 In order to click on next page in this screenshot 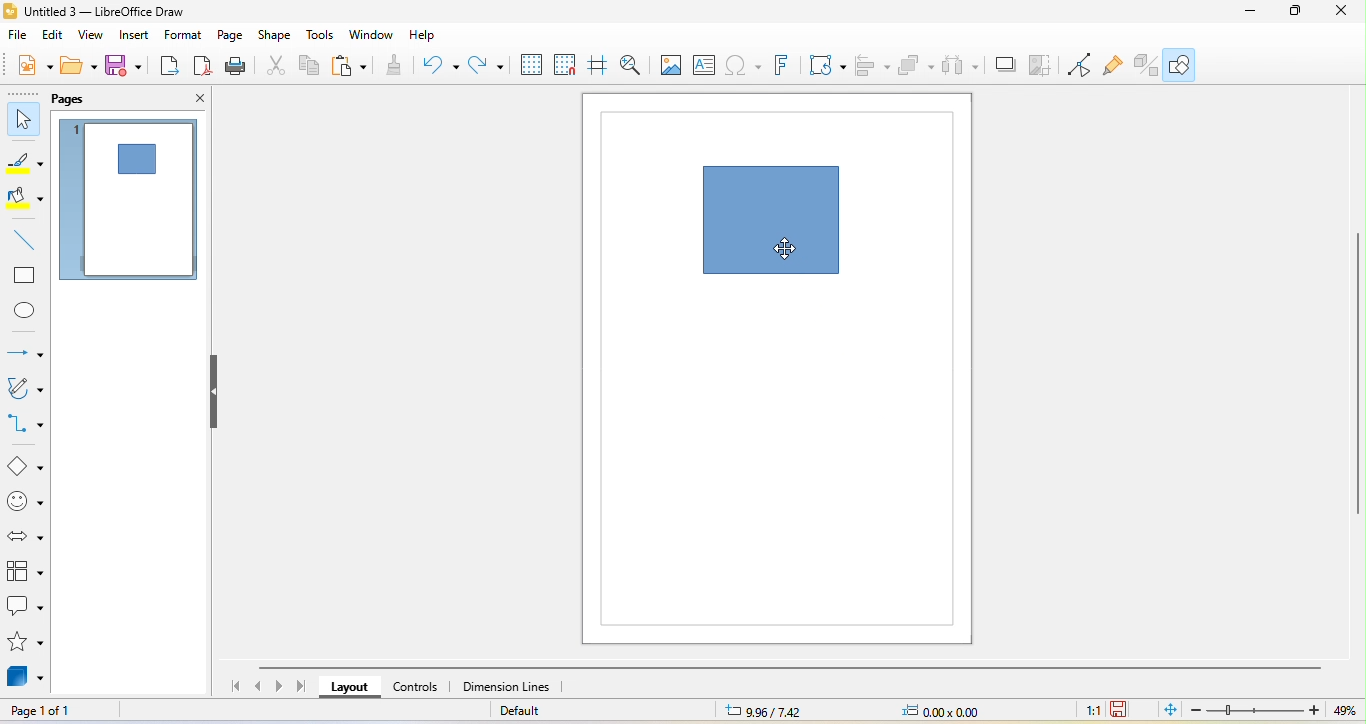, I will do `click(279, 686)`.